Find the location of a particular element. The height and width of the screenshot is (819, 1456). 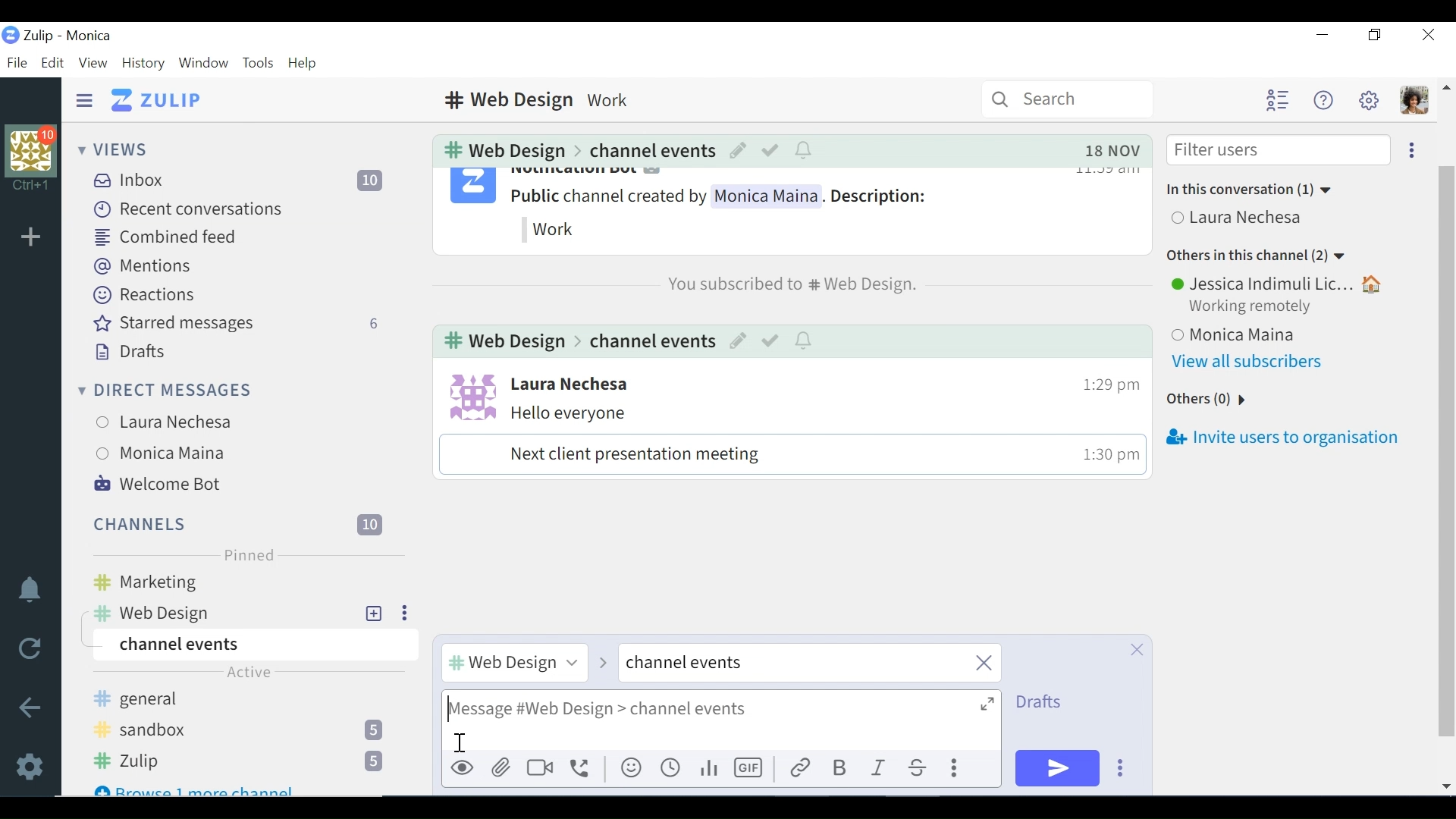

Mentions is located at coordinates (143, 266).